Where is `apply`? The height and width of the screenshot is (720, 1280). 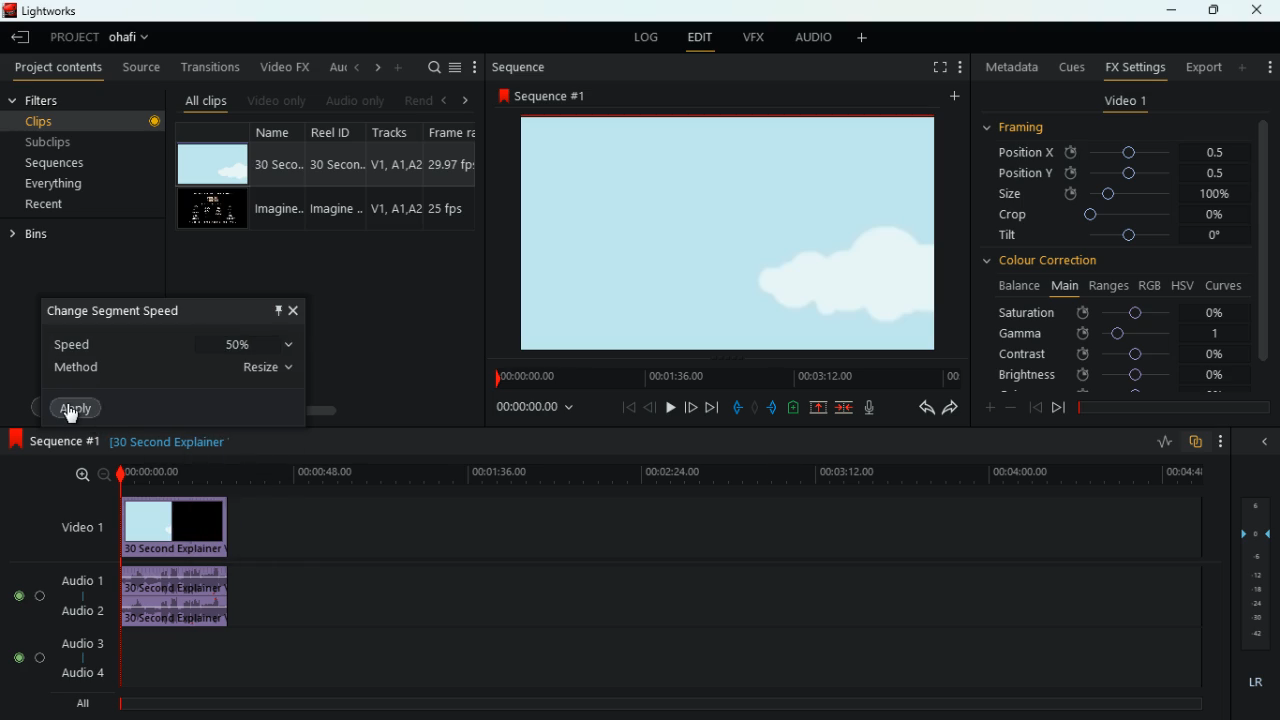
apply is located at coordinates (79, 405).